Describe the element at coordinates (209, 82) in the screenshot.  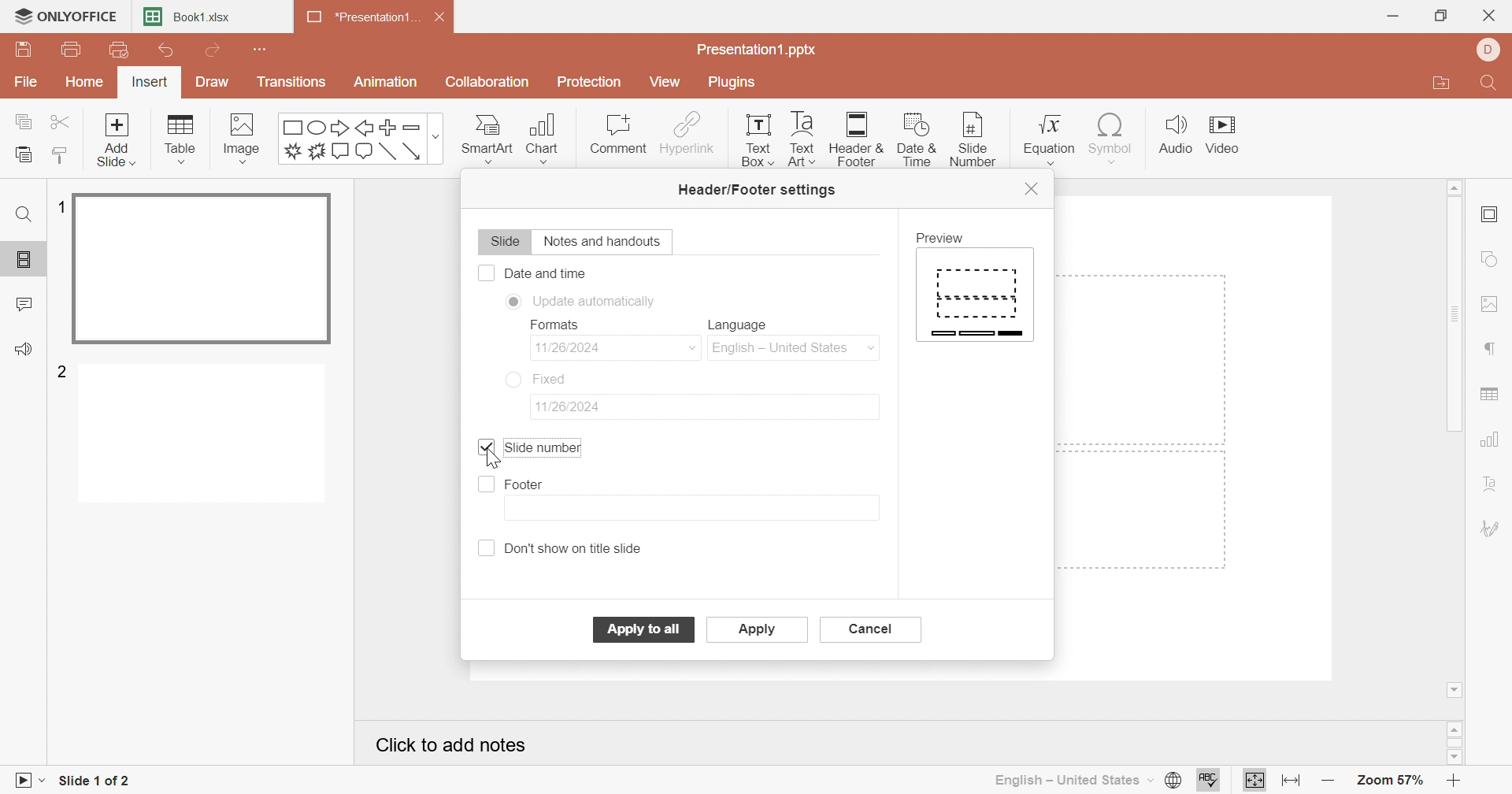
I see `Draw` at that location.